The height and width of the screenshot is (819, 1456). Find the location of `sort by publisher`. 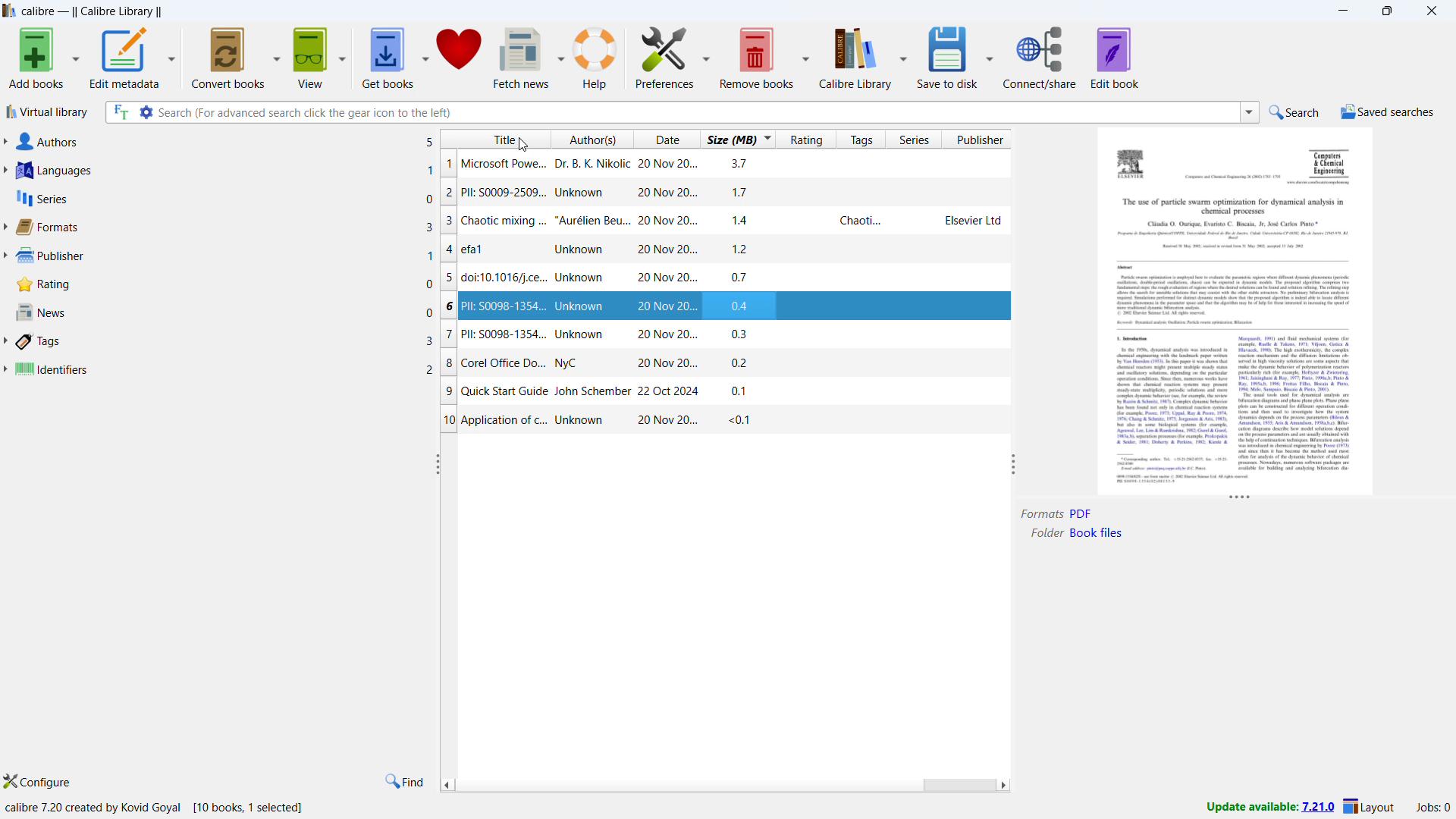

sort by publisher is located at coordinates (977, 140).